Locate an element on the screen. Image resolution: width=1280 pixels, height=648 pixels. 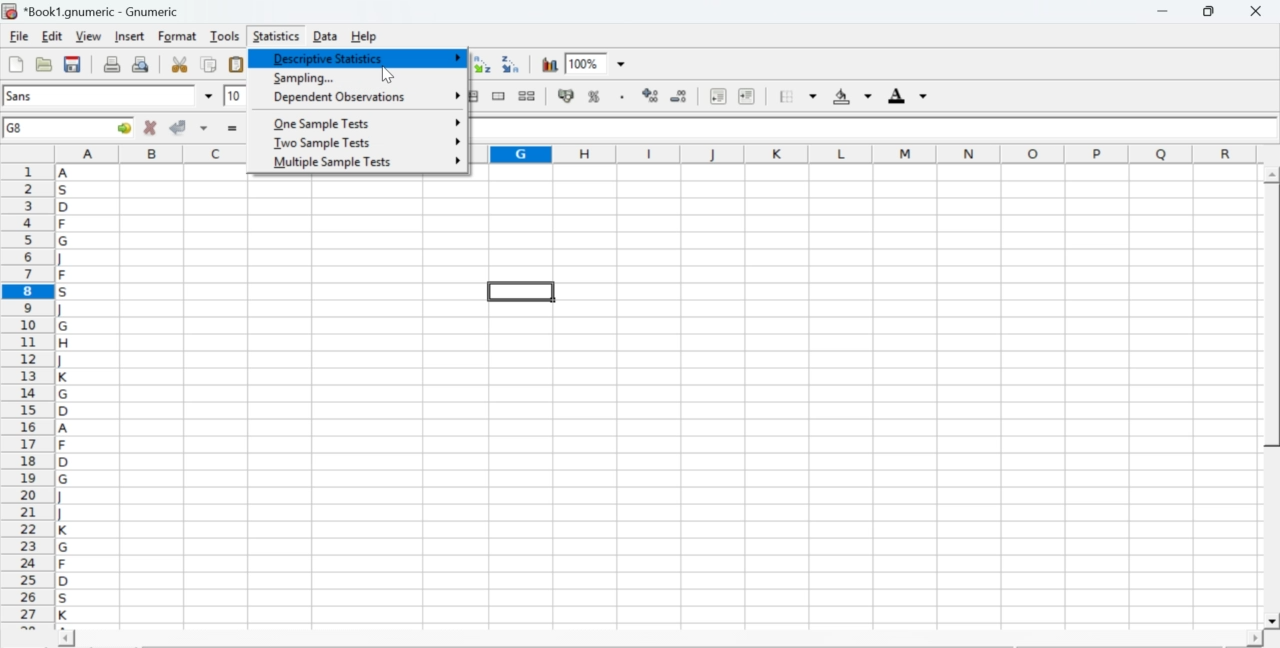
accept changes is located at coordinates (179, 126).